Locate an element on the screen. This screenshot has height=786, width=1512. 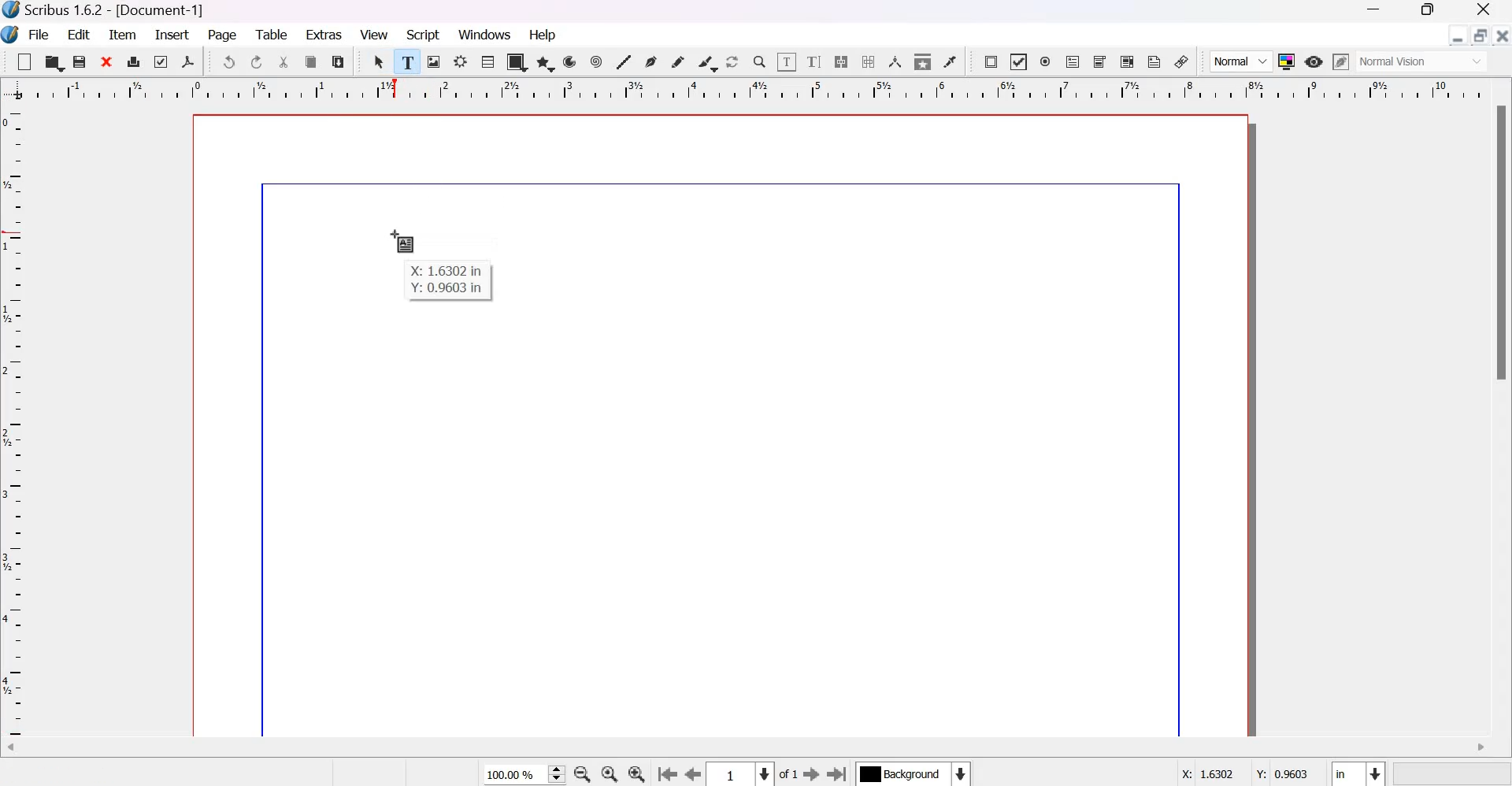
Go to the next page is located at coordinates (811, 774).